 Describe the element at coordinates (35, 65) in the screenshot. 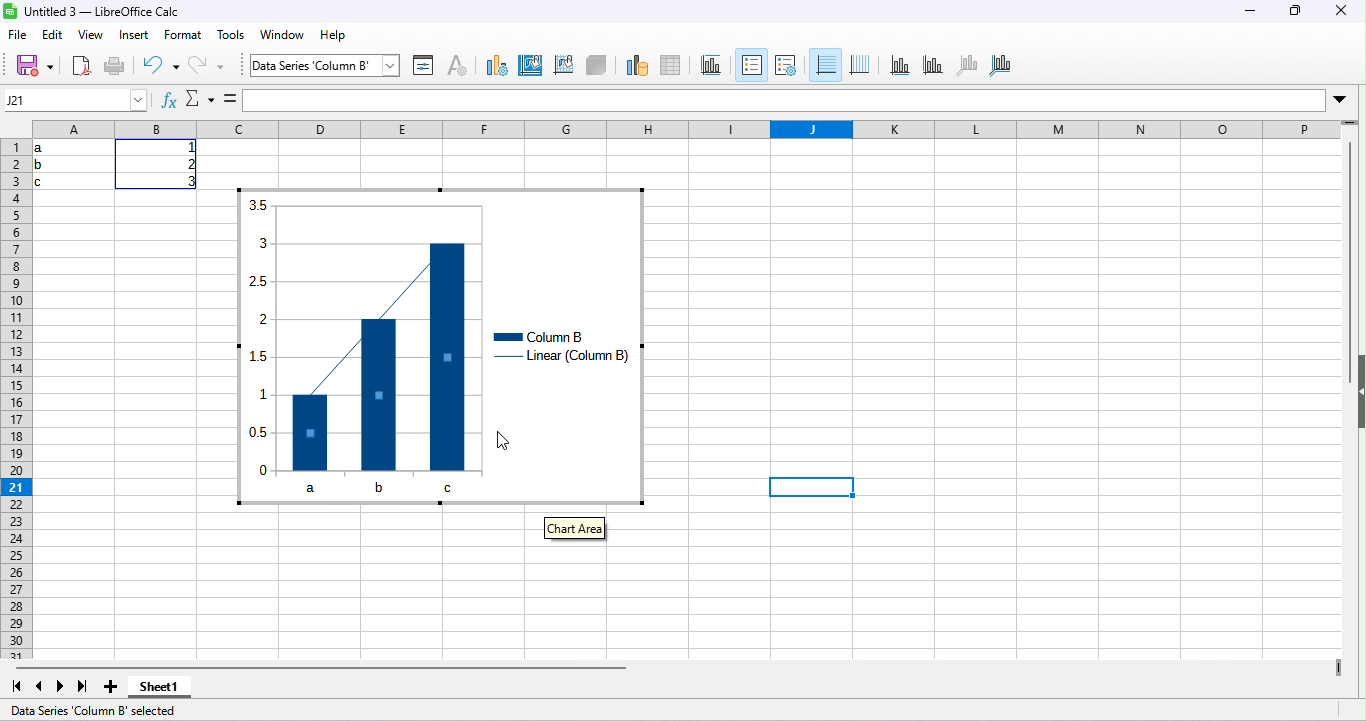

I see `save` at that location.